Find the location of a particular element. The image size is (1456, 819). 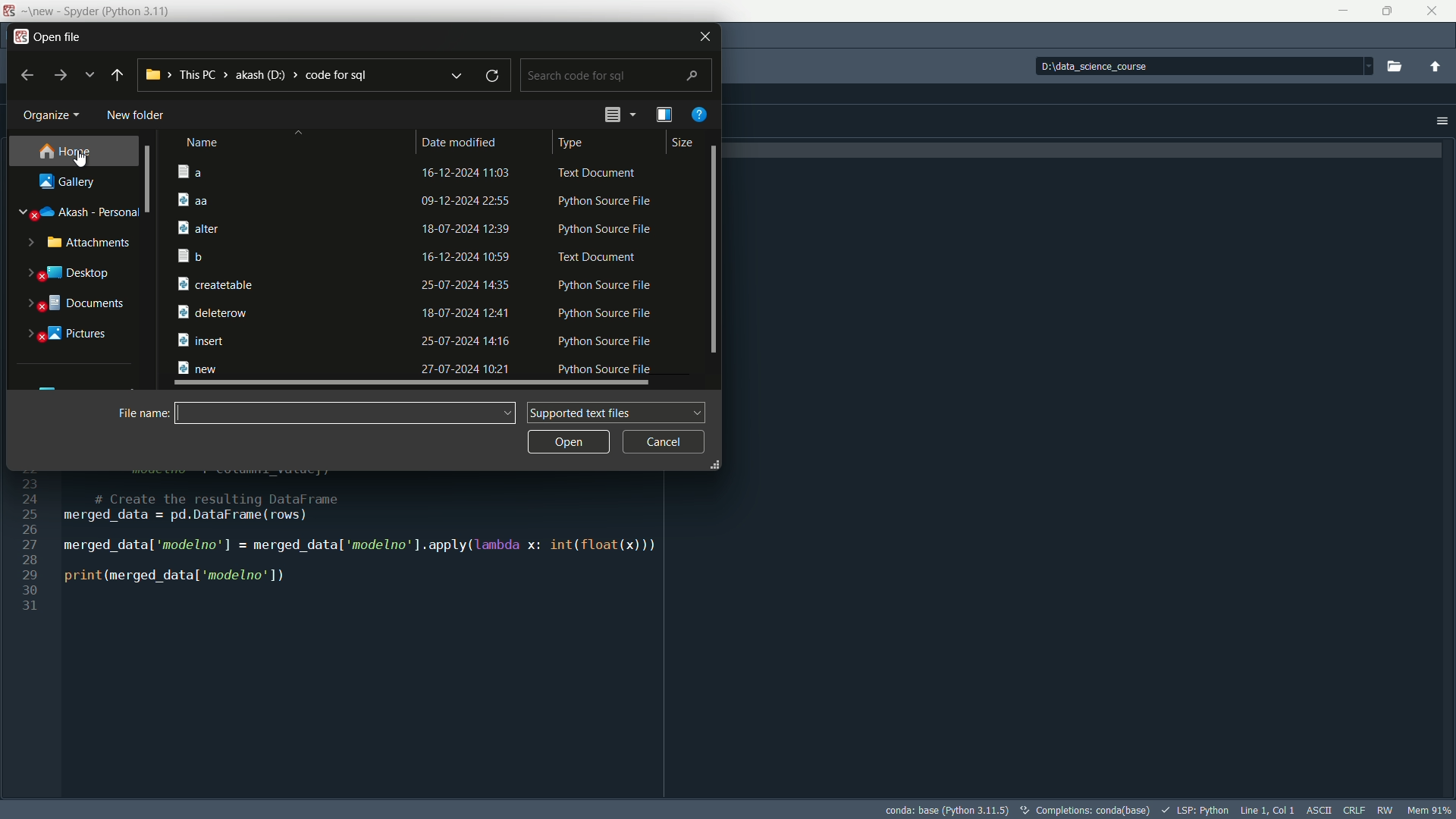

dropdown is located at coordinates (458, 76).